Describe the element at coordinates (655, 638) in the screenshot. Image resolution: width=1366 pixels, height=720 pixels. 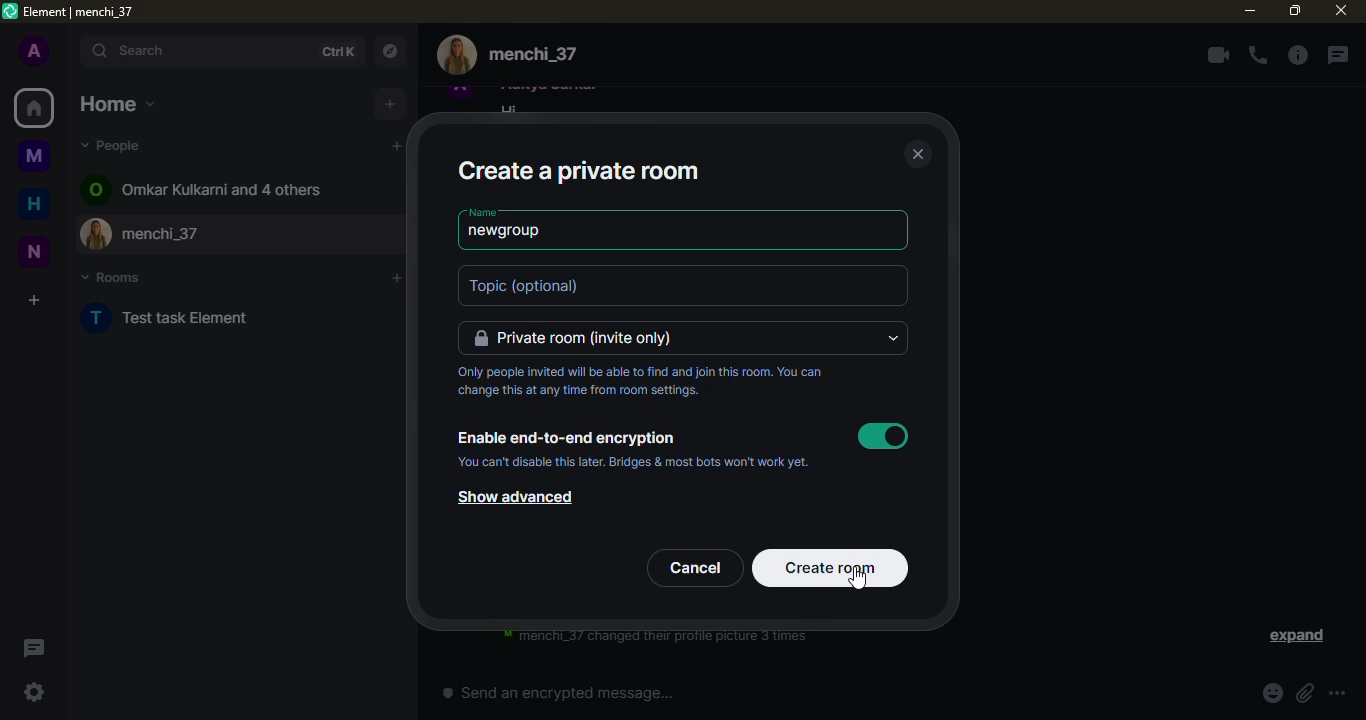
I see `menchi_37 changed their profile picture 3 times` at that location.